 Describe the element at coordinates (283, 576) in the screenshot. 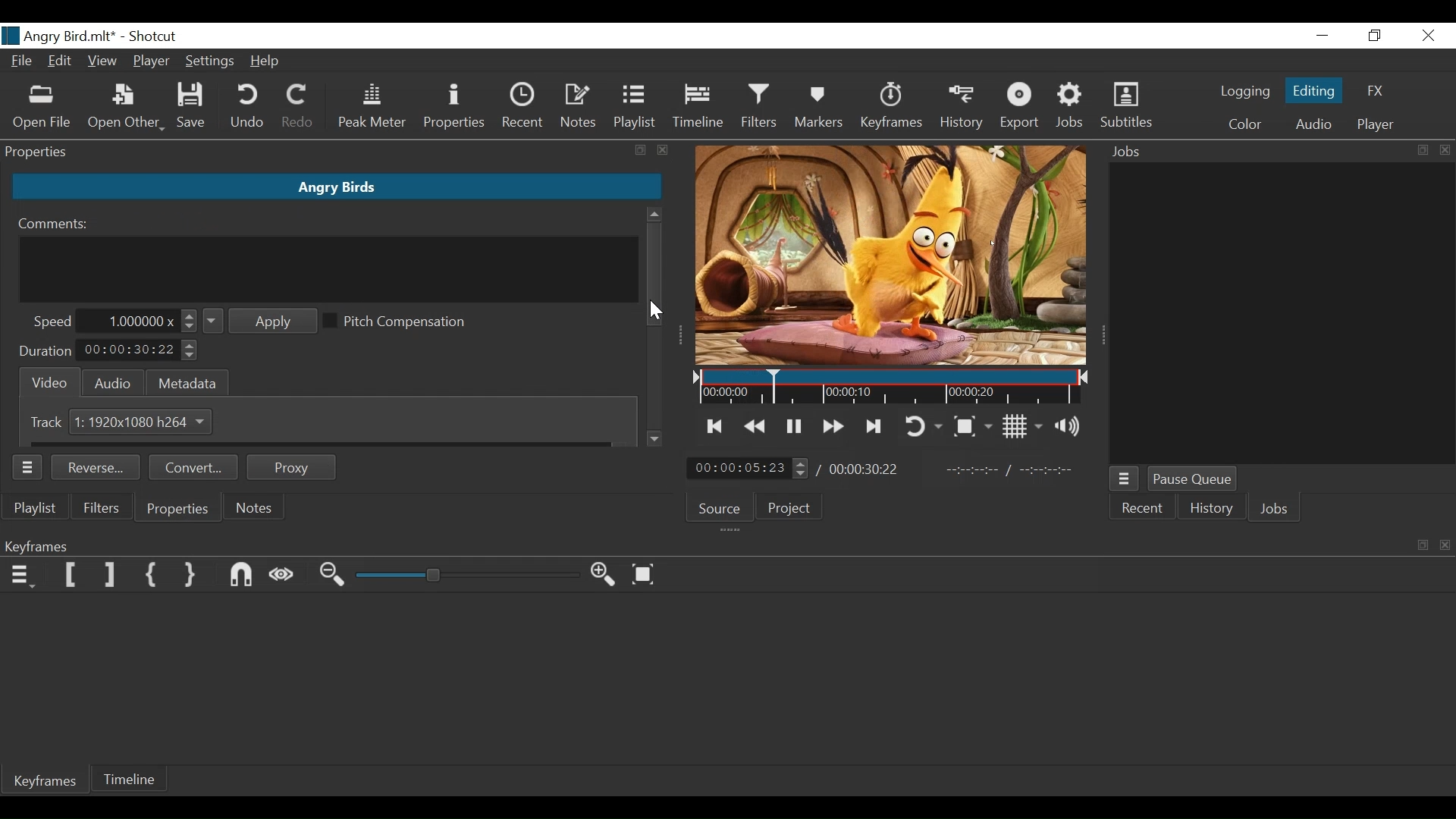

I see `Scrub while dragging` at that location.